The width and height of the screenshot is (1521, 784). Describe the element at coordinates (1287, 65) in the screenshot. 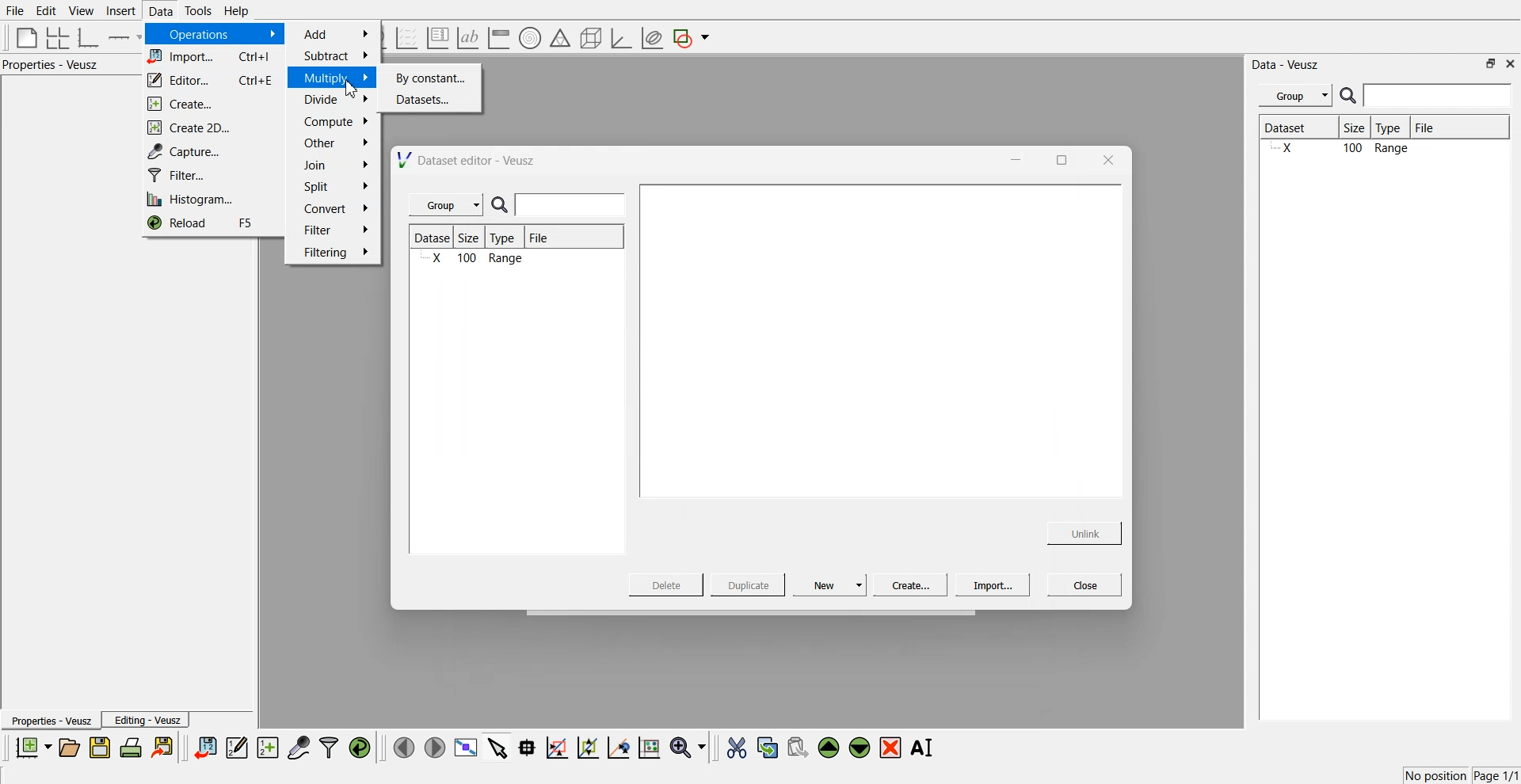

I see `Data - Veusz` at that location.